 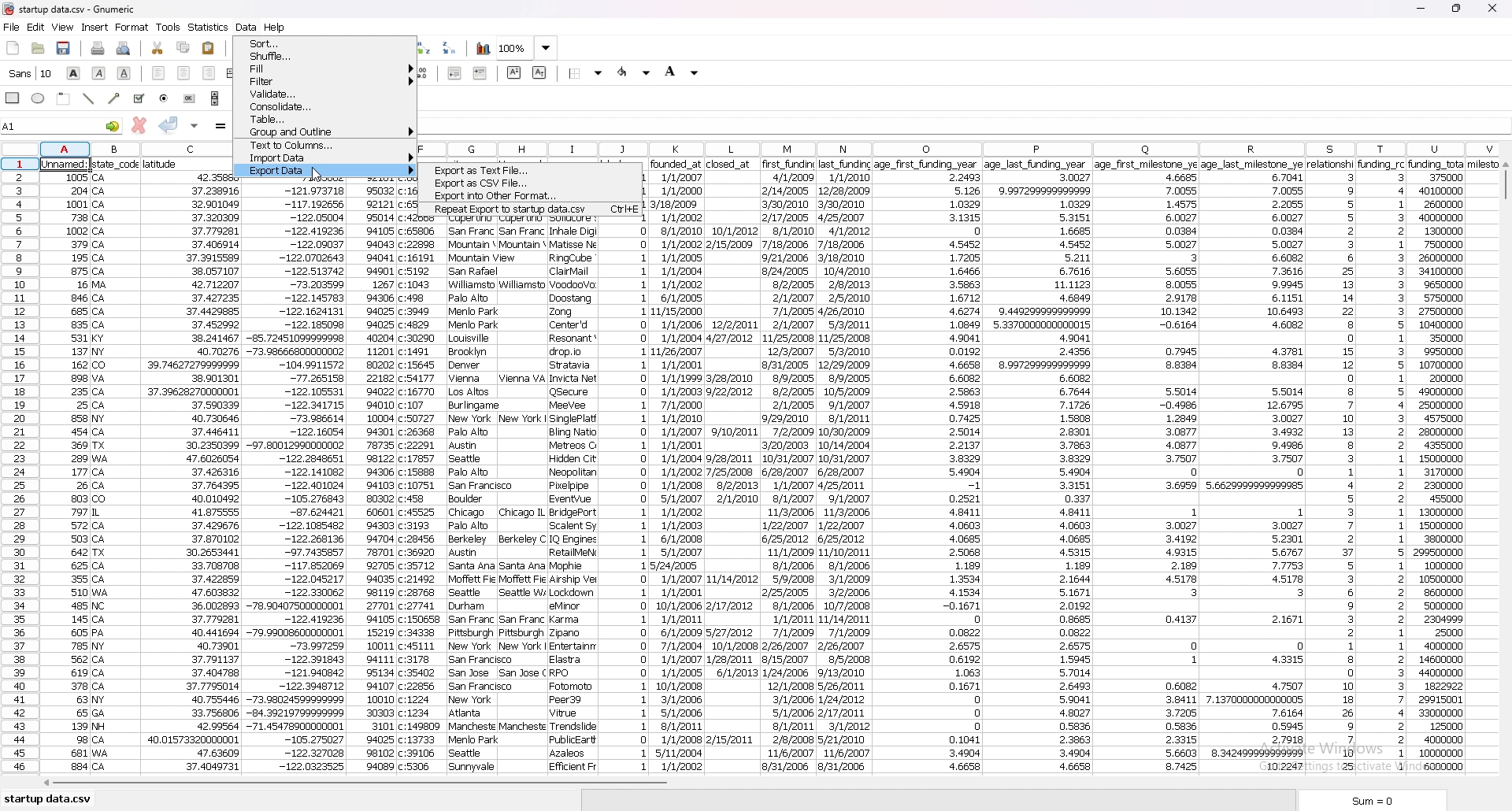 I want to click on subscript, so click(x=539, y=72).